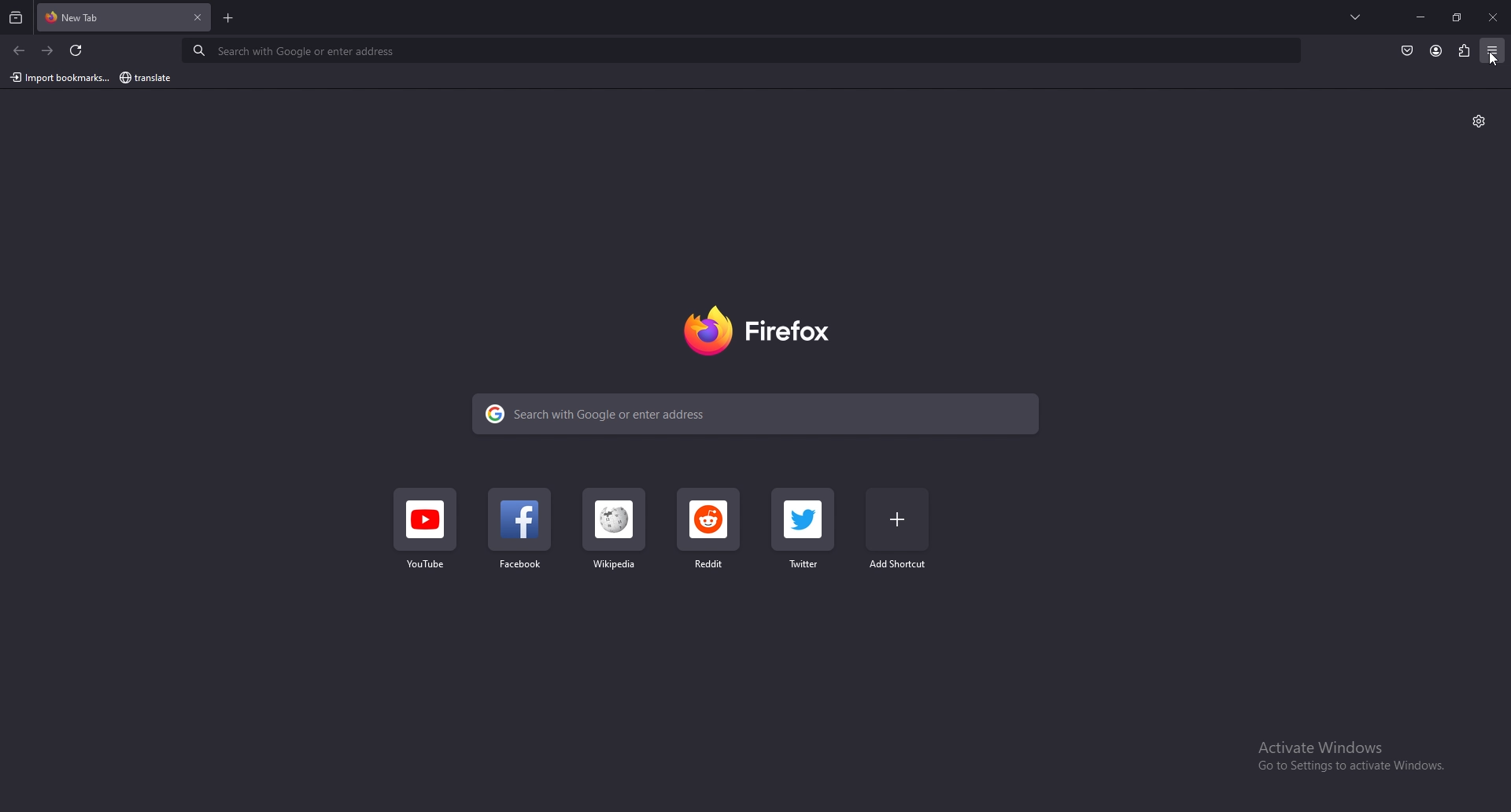 This screenshot has width=1511, height=812. What do you see at coordinates (1498, 64) in the screenshot?
I see `cursor` at bounding box center [1498, 64].